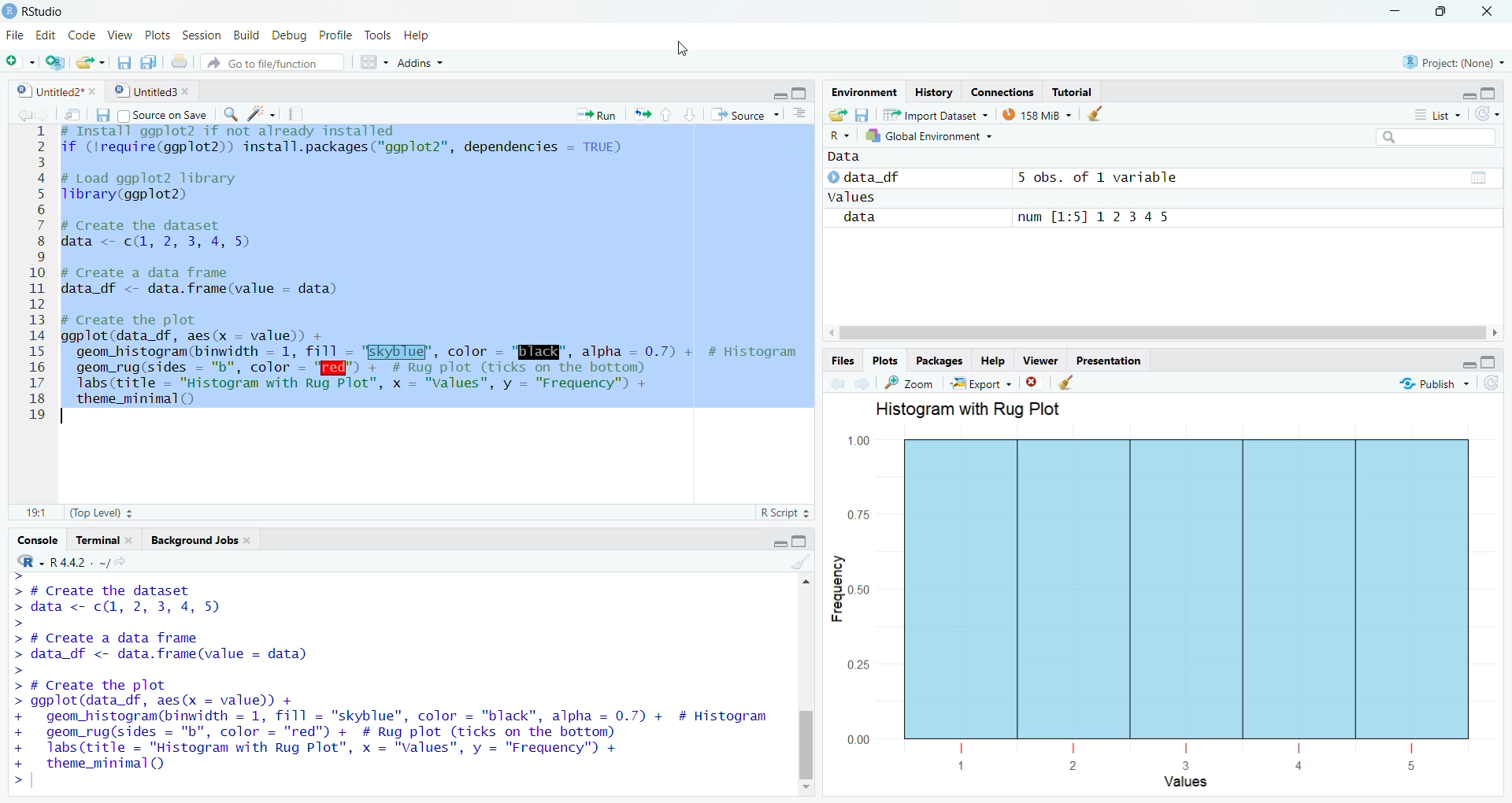  Describe the element at coordinates (32, 542) in the screenshot. I see `‘Console` at that location.